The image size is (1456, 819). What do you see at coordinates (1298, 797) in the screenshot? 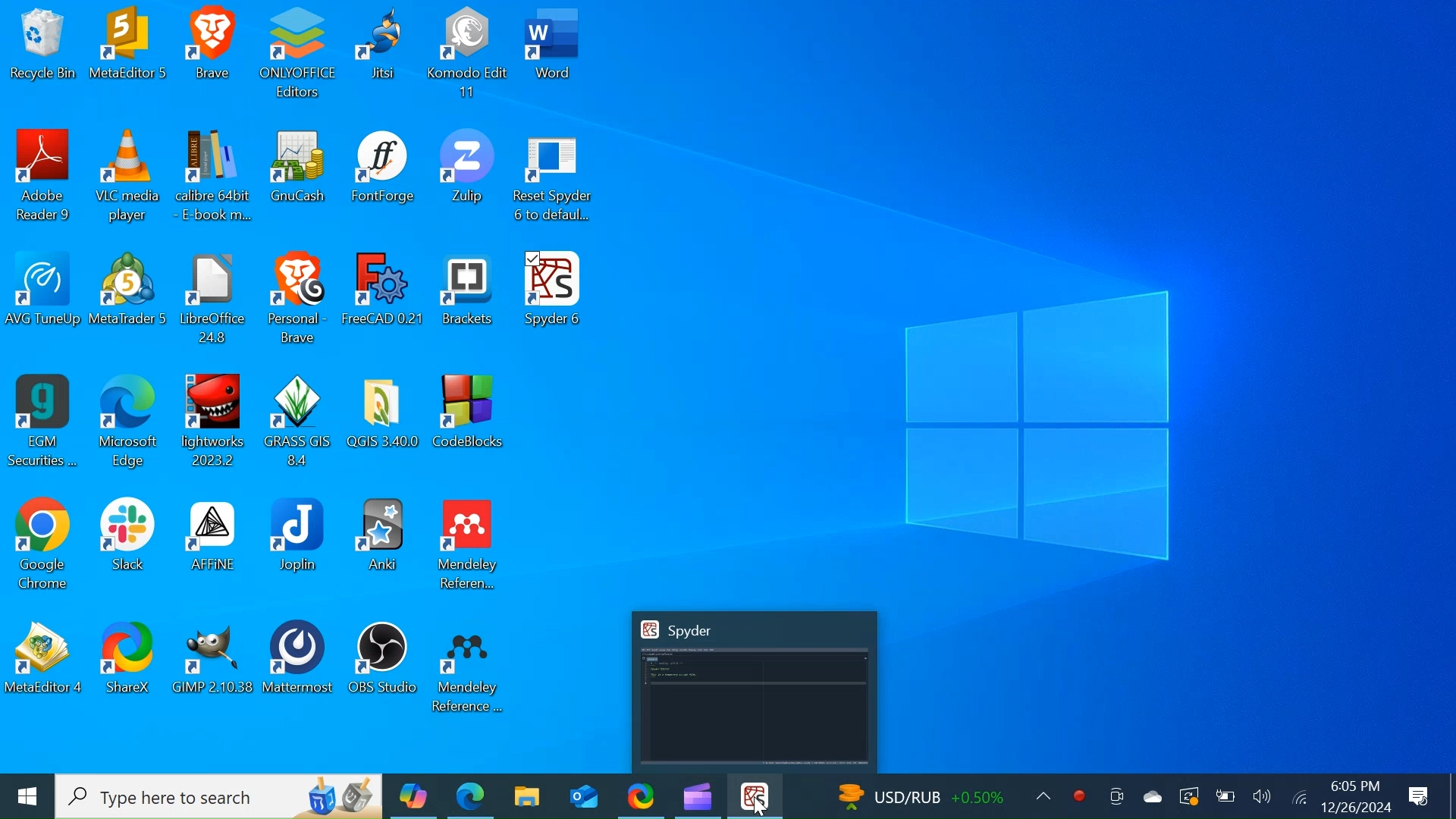
I see `Internet Connection` at bounding box center [1298, 797].